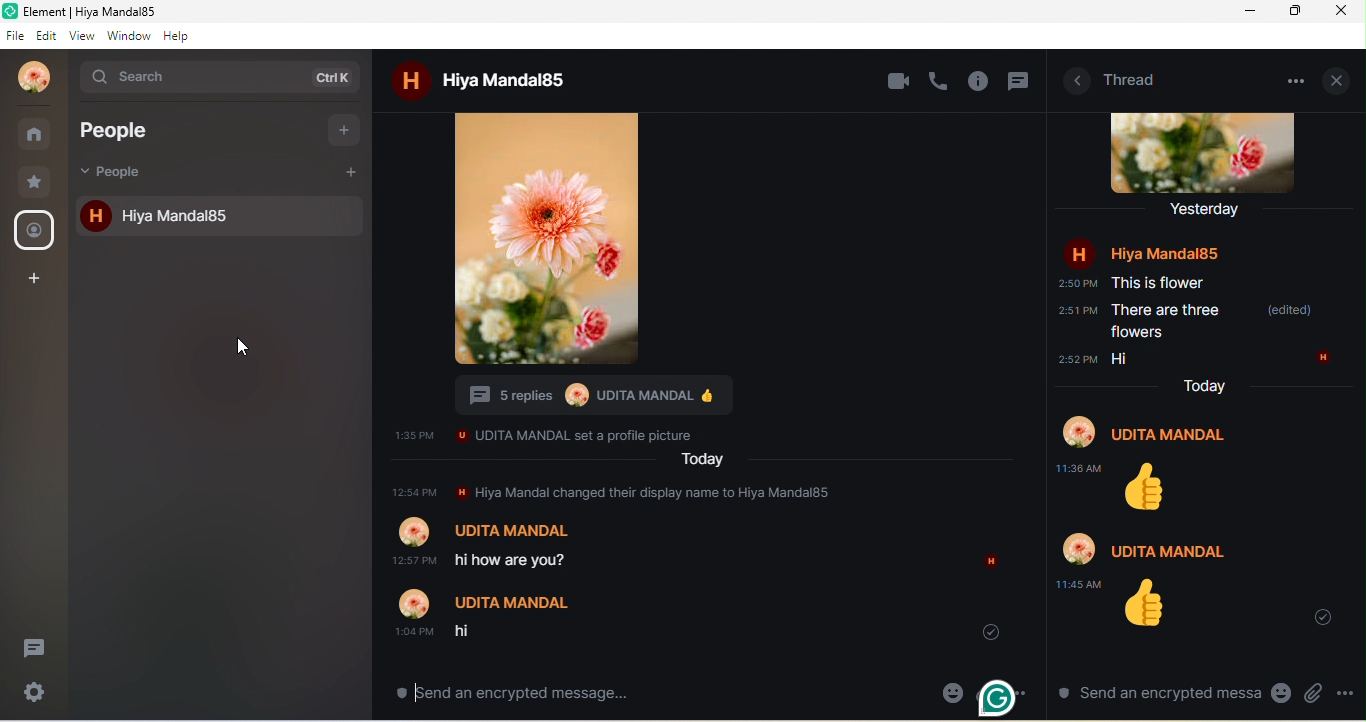 This screenshot has height=722, width=1366. Describe the element at coordinates (1117, 359) in the screenshot. I see `Hi` at that location.